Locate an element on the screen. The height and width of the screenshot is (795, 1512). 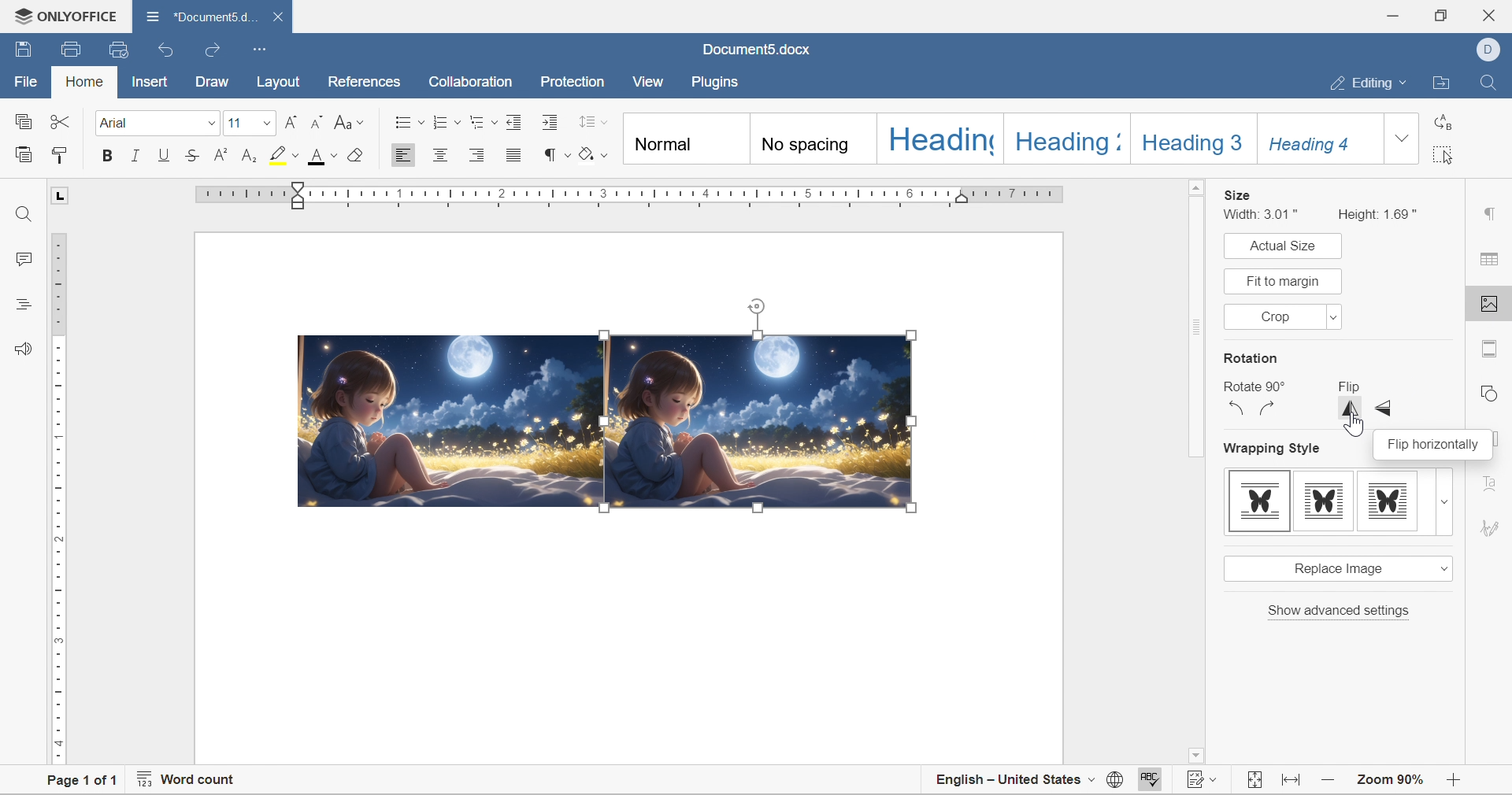
track changes is located at coordinates (1204, 775).